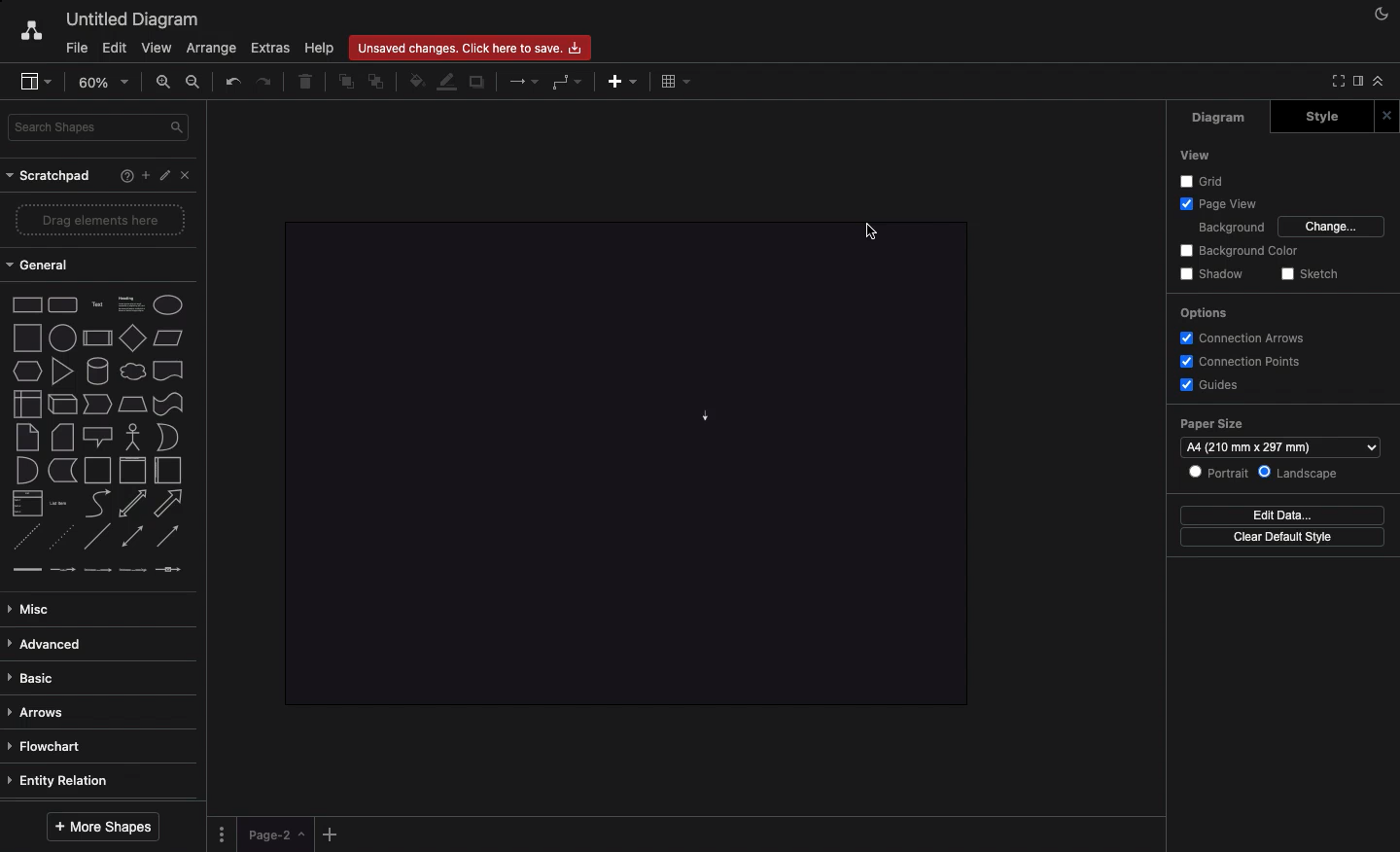 This screenshot has height=852, width=1400. Describe the element at coordinates (345, 83) in the screenshot. I see `To front` at that location.